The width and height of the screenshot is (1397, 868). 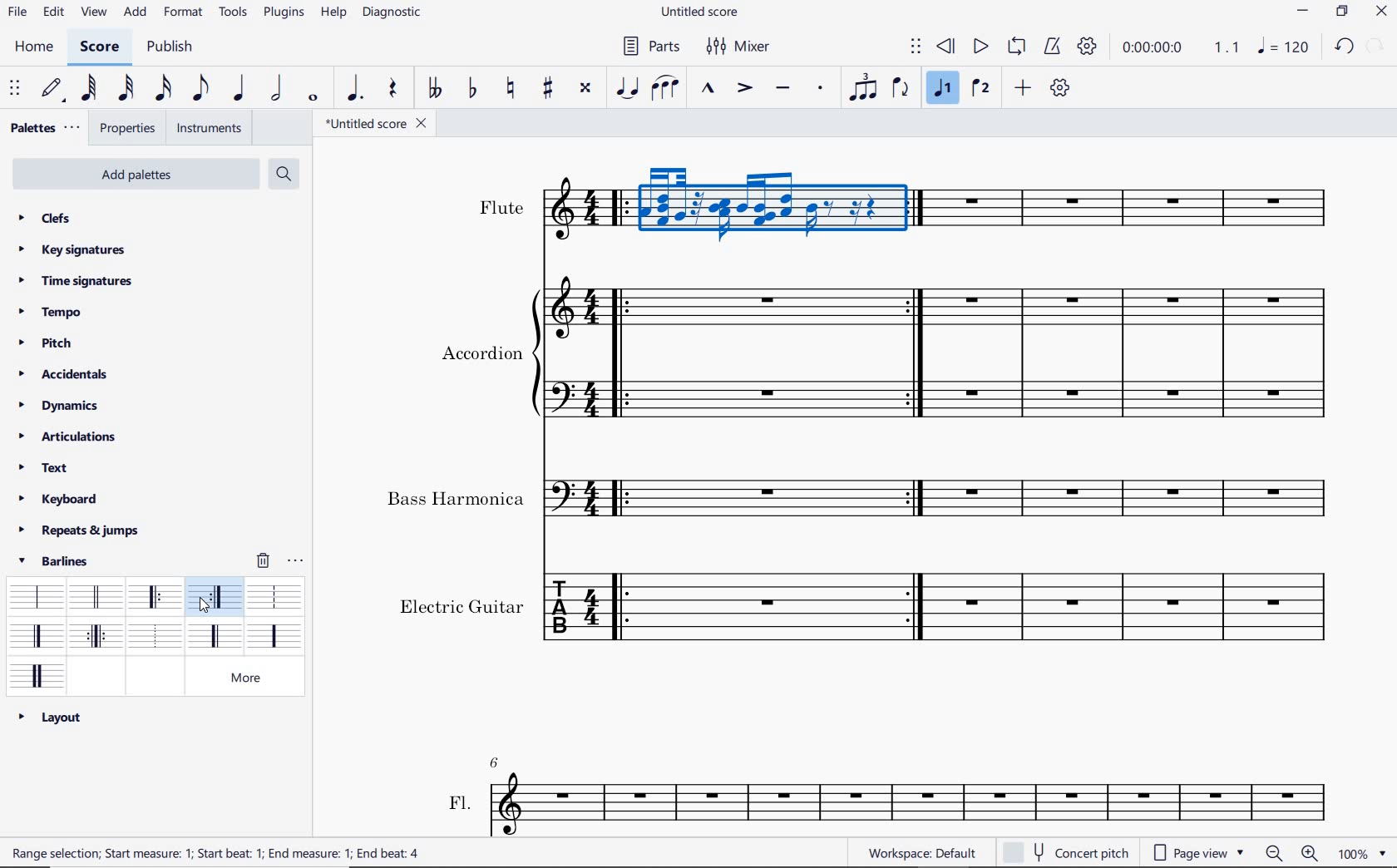 What do you see at coordinates (254, 678) in the screenshot?
I see `more` at bounding box center [254, 678].